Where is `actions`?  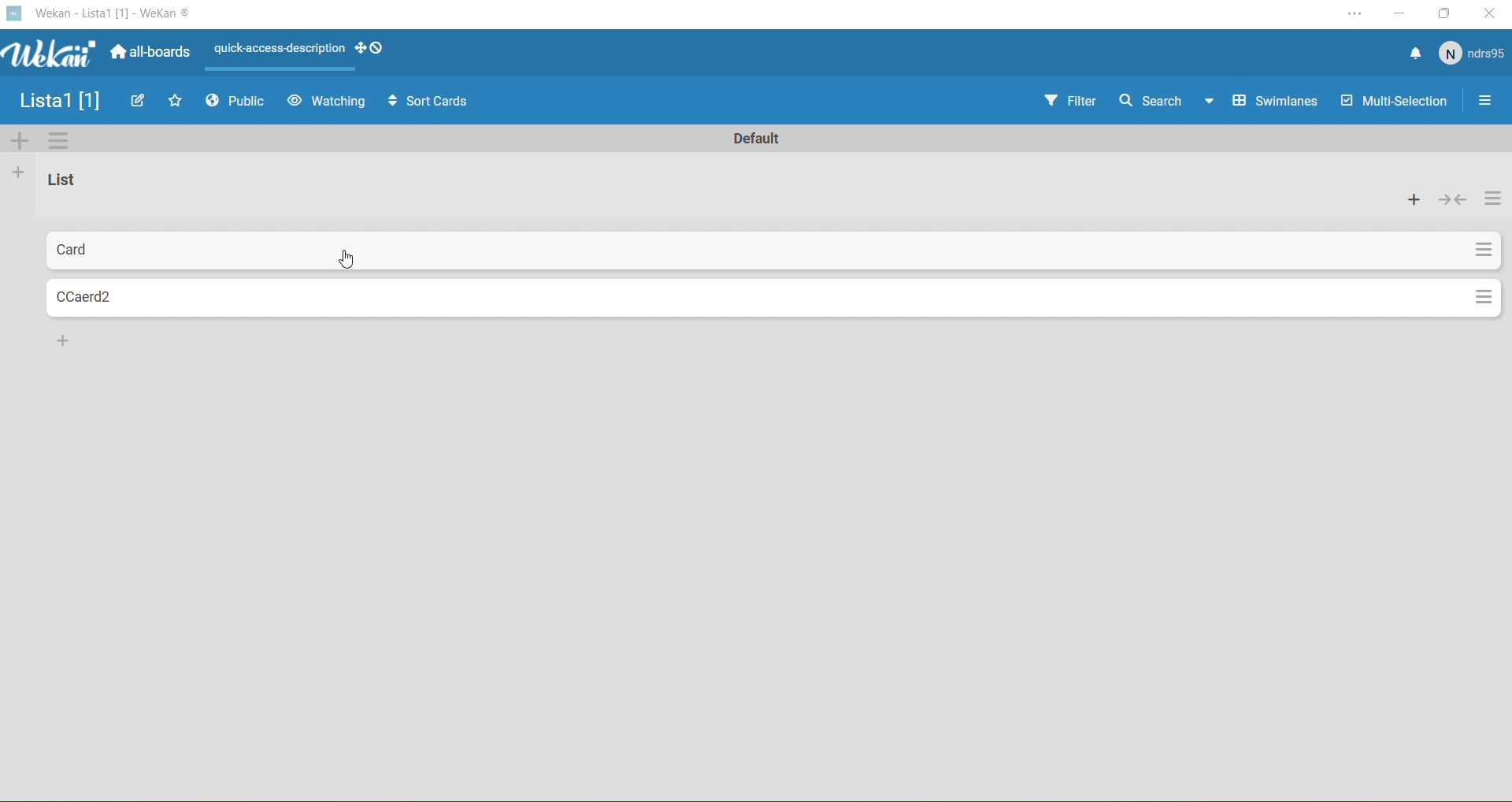
actions is located at coordinates (1493, 200).